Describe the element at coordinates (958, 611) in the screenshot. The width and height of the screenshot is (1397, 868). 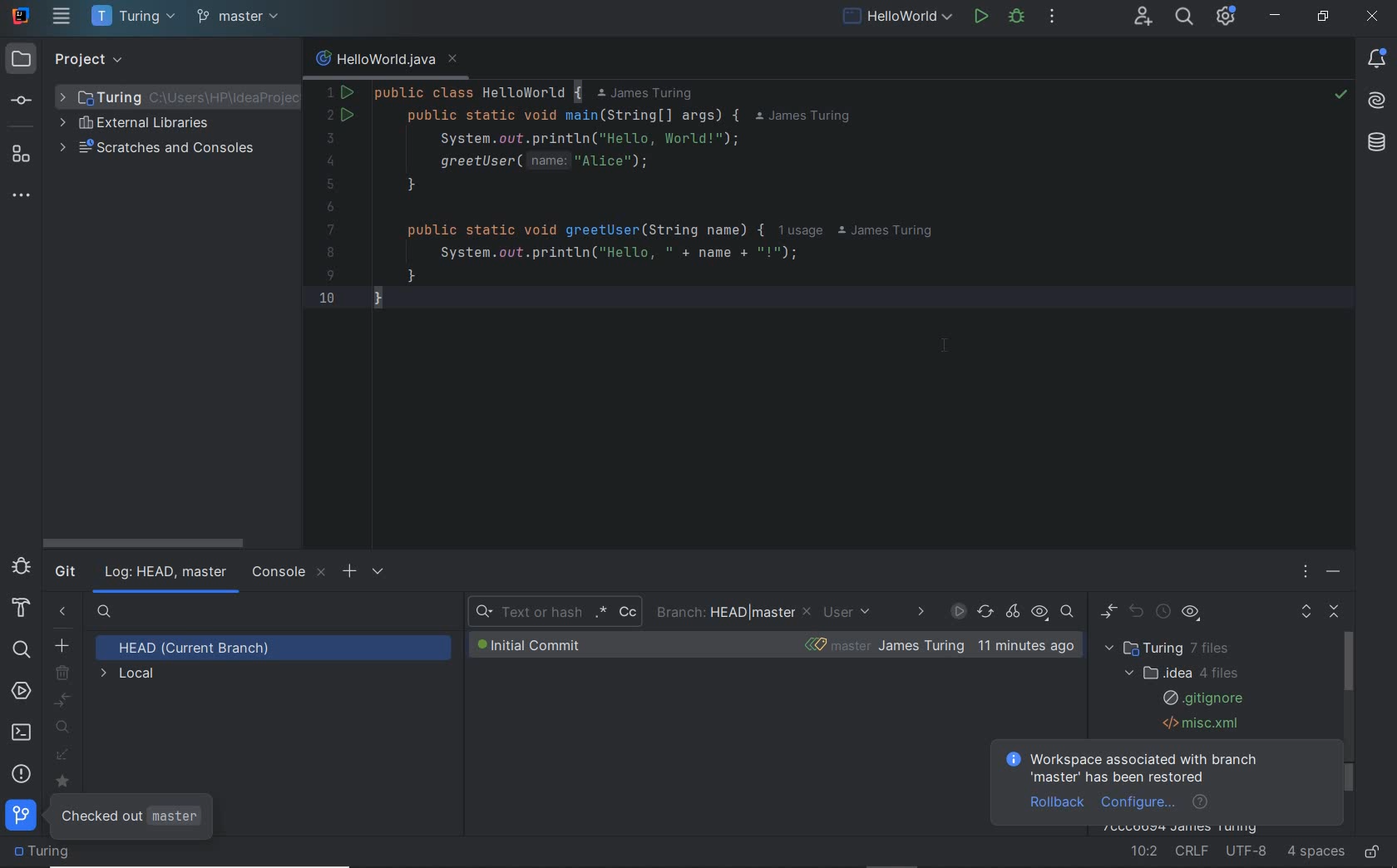
I see `ENABLE GIT LOG INDEXING` at that location.